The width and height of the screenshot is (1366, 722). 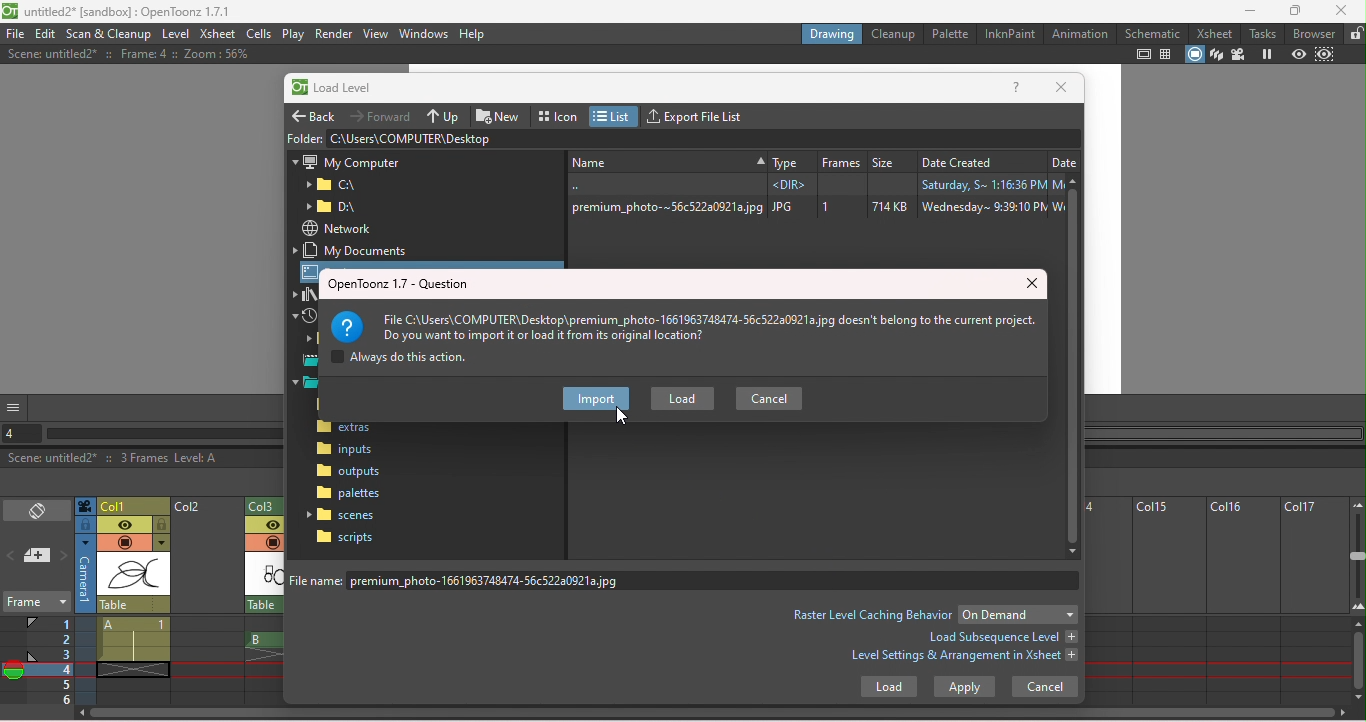 I want to click on Date created, so click(x=980, y=159).